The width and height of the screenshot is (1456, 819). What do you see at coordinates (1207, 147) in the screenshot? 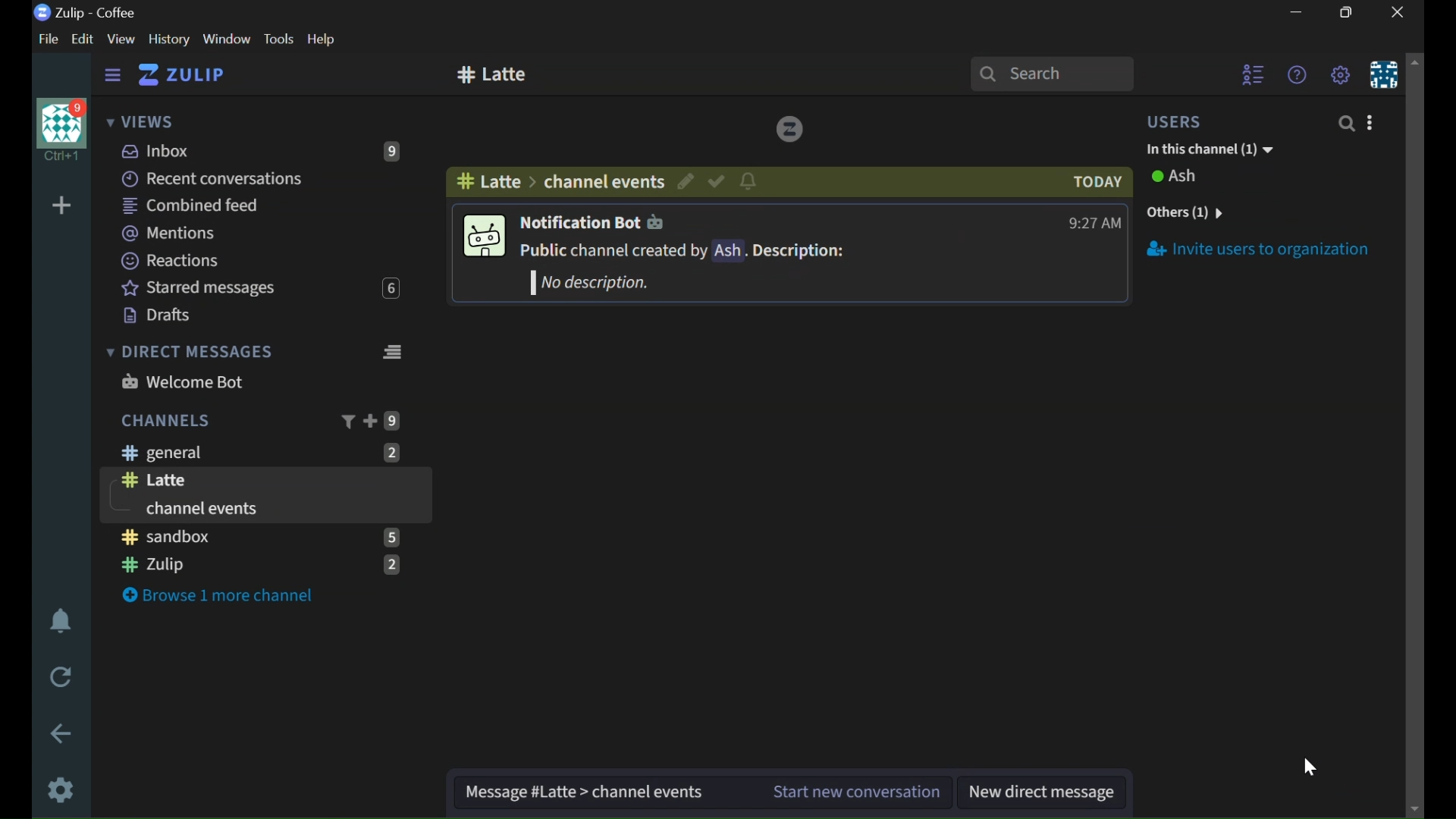
I see `In this channel (1)` at bounding box center [1207, 147].